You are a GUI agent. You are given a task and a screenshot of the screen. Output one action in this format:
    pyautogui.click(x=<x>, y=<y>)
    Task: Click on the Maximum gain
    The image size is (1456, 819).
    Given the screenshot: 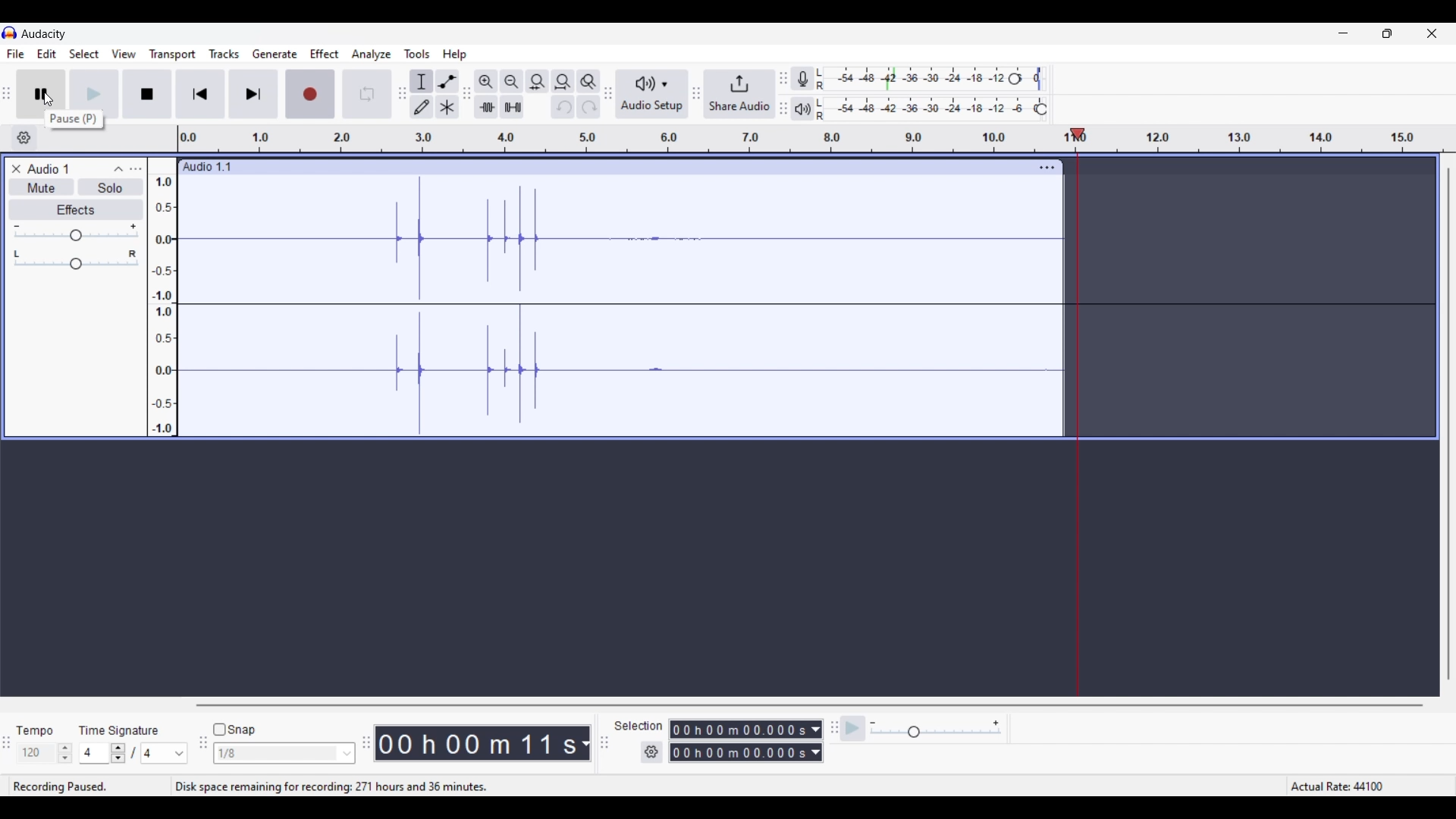 What is the action you would take?
    pyautogui.click(x=133, y=227)
    